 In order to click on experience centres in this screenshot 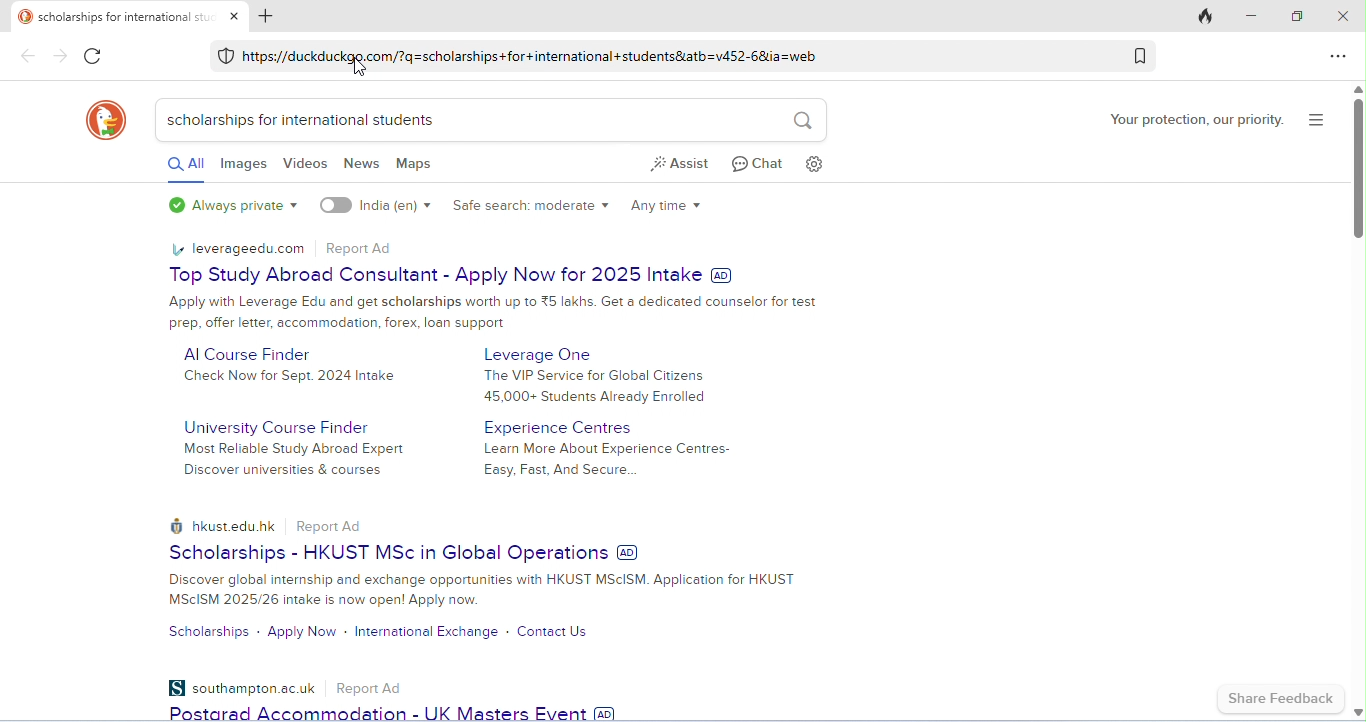, I will do `click(560, 426)`.